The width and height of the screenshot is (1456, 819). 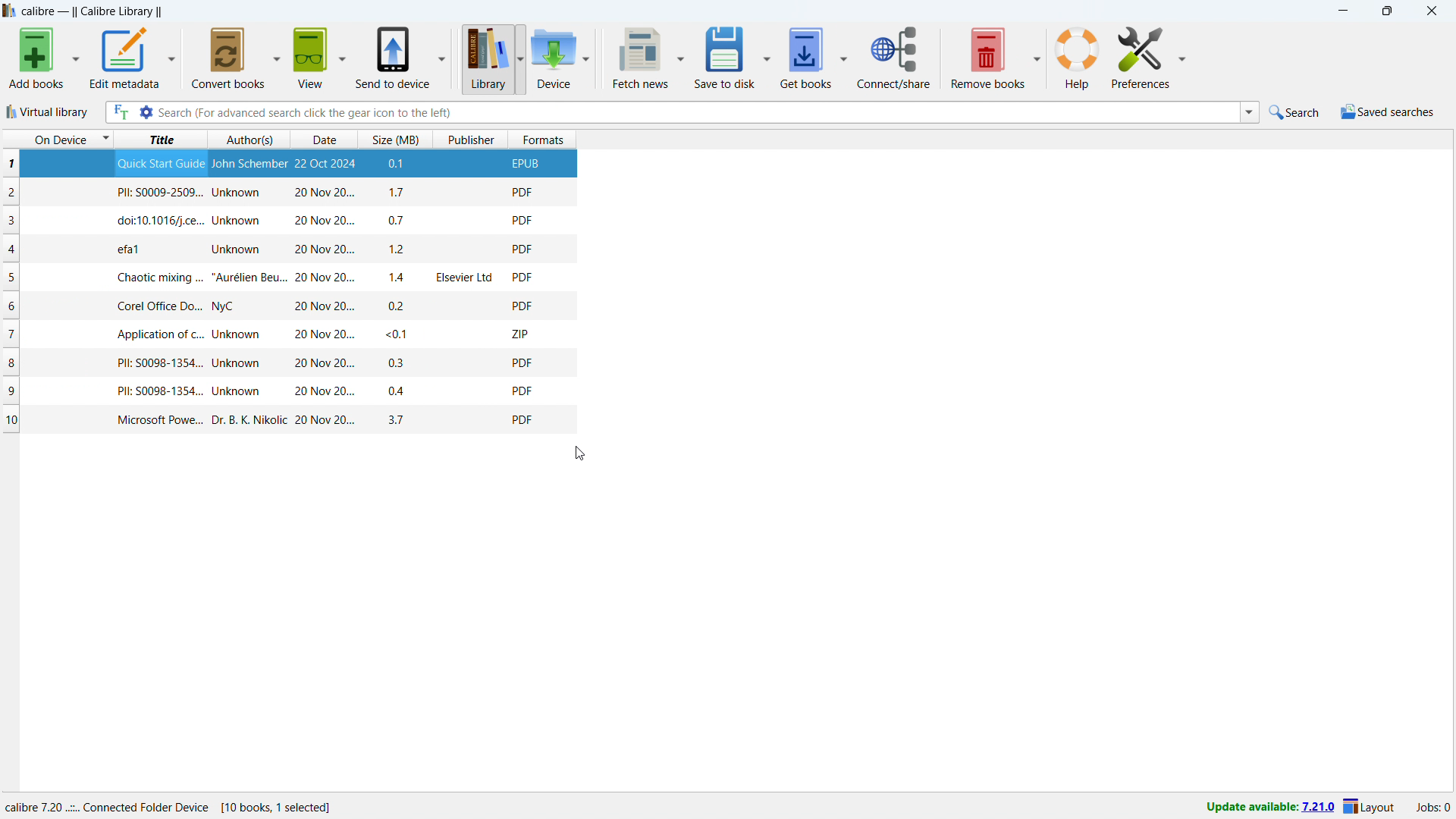 What do you see at coordinates (1433, 808) in the screenshot?
I see `active jobs` at bounding box center [1433, 808].